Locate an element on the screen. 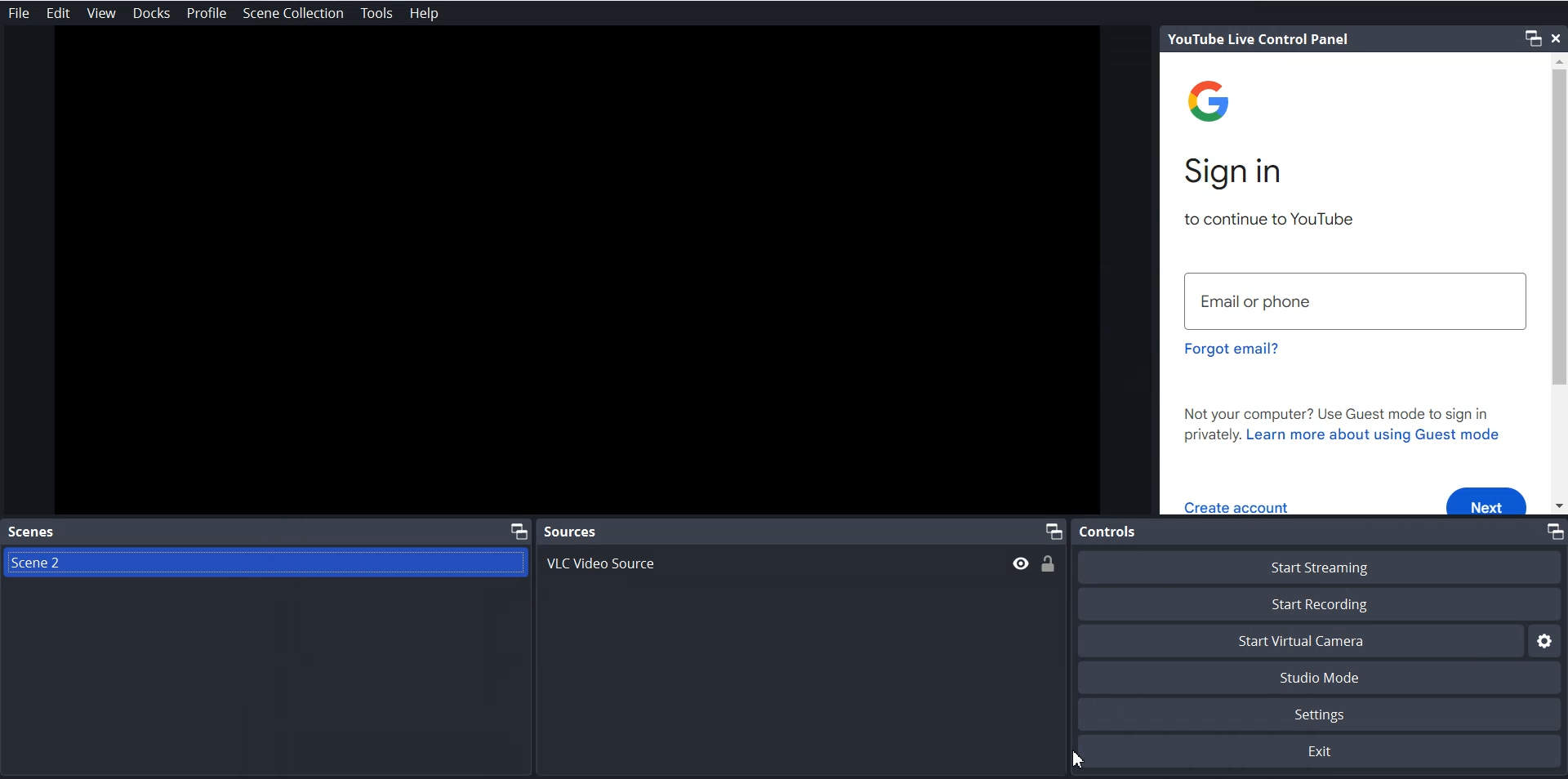 The height and width of the screenshot is (779, 1568). Tools is located at coordinates (376, 13).